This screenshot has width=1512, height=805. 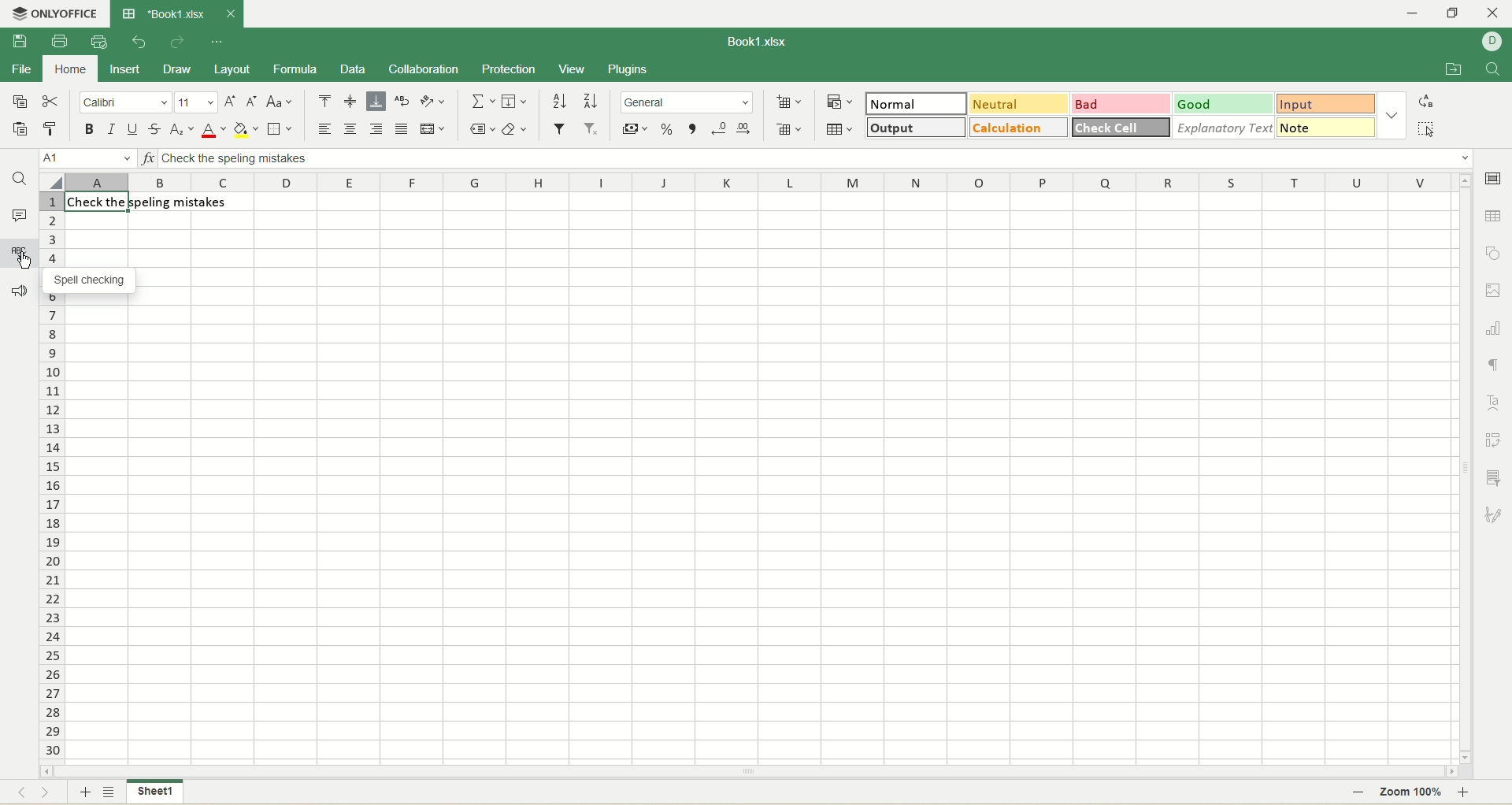 What do you see at coordinates (433, 128) in the screenshot?
I see `merge and center` at bounding box center [433, 128].